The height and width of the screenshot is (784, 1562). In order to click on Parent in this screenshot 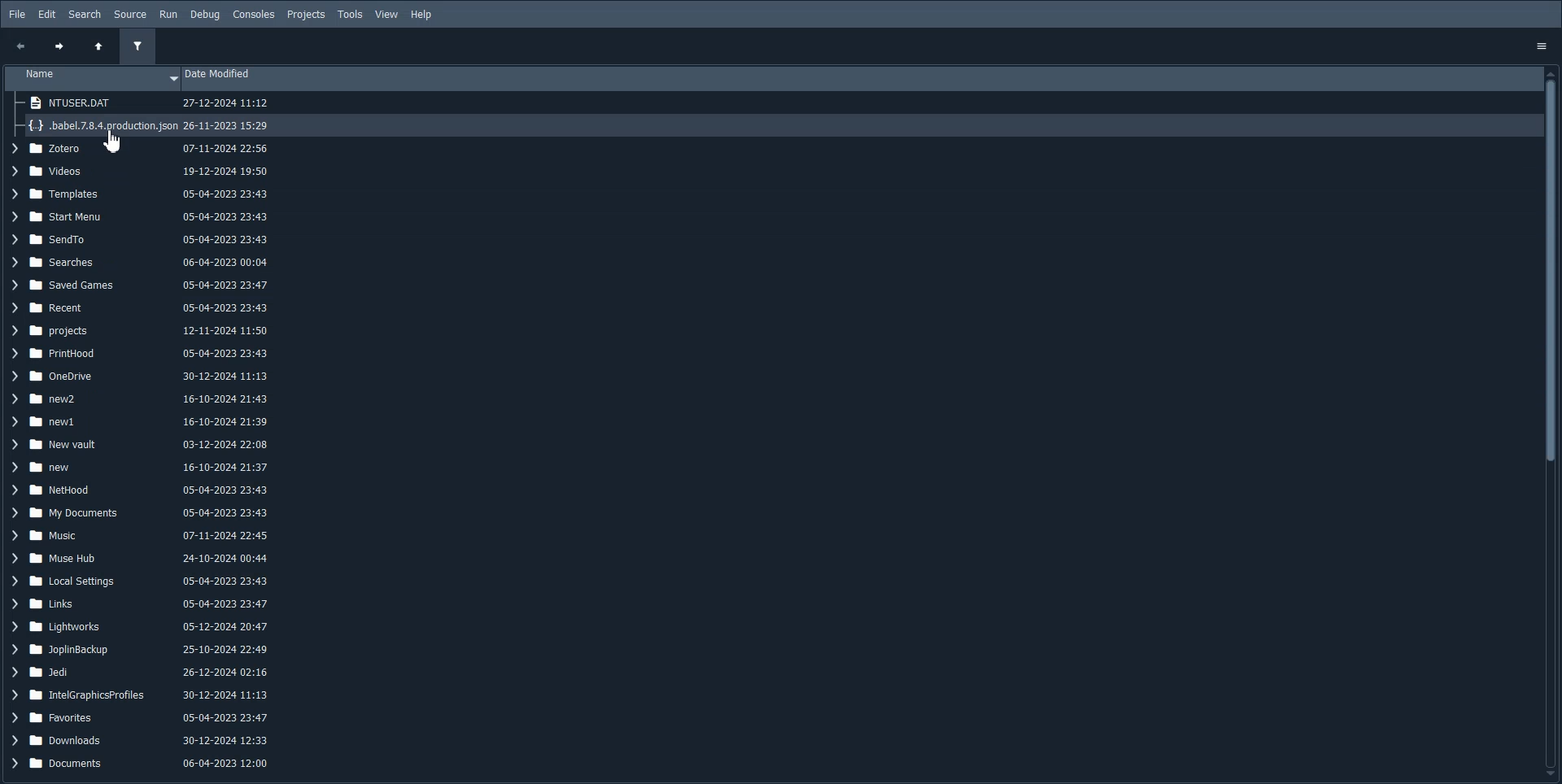, I will do `click(98, 48)`.